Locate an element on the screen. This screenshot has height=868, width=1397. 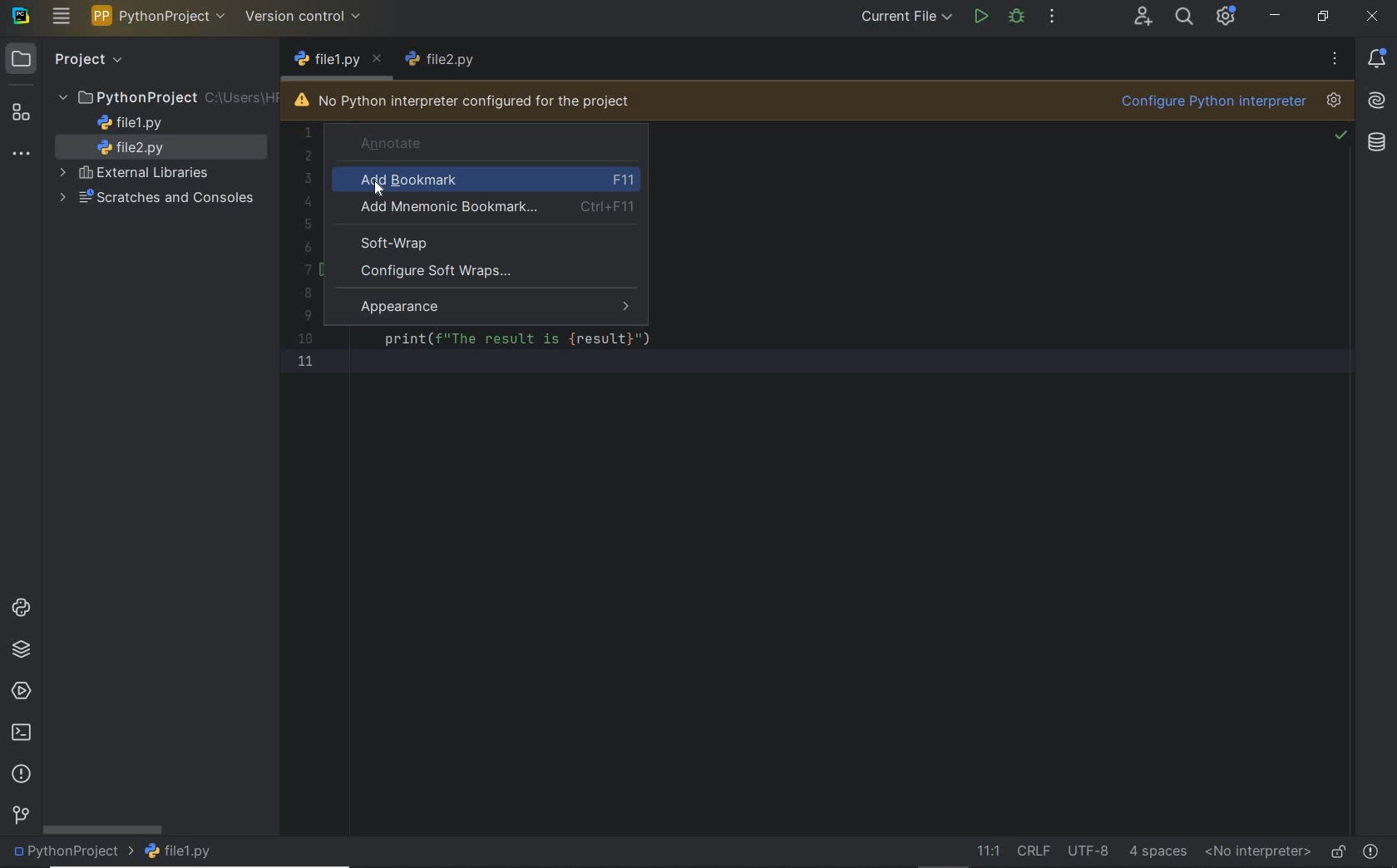
ide and project settings is located at coordinates (1227, 18).